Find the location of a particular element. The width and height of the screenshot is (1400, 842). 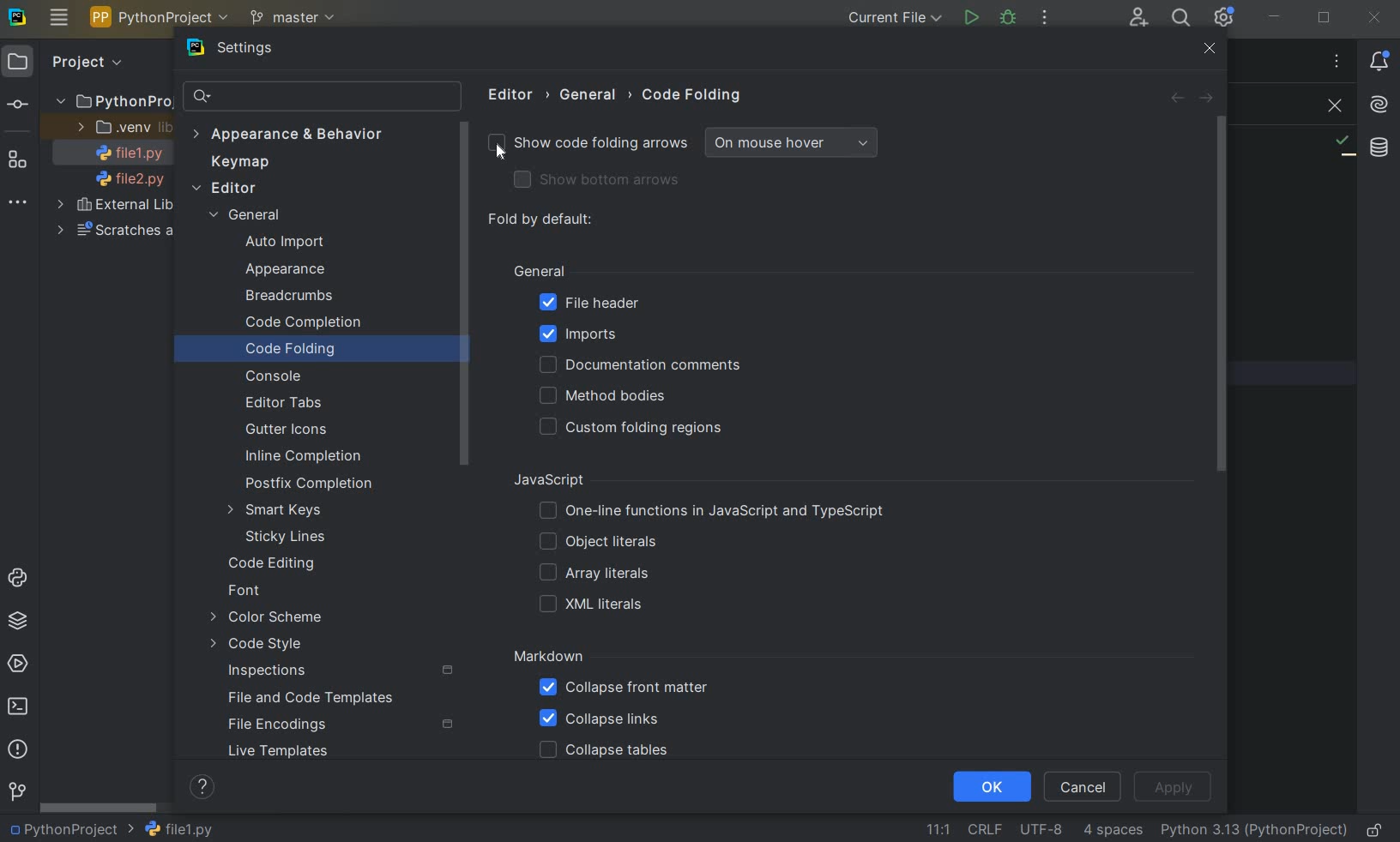

GENERAL is located at coordinates (593, 95).